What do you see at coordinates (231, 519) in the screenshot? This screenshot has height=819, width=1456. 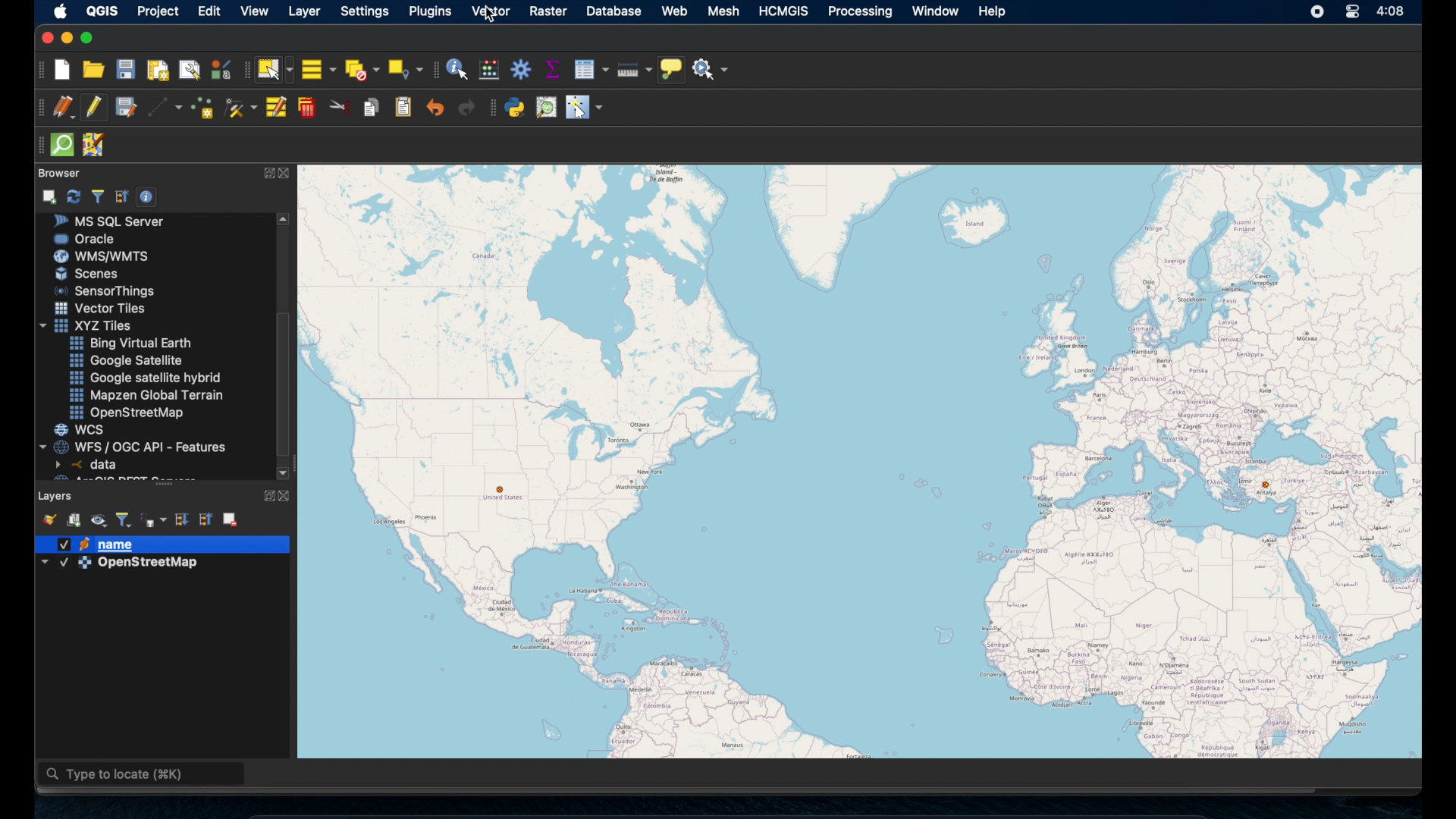 I see `remove layer/group` at bounding box center [231, 519].